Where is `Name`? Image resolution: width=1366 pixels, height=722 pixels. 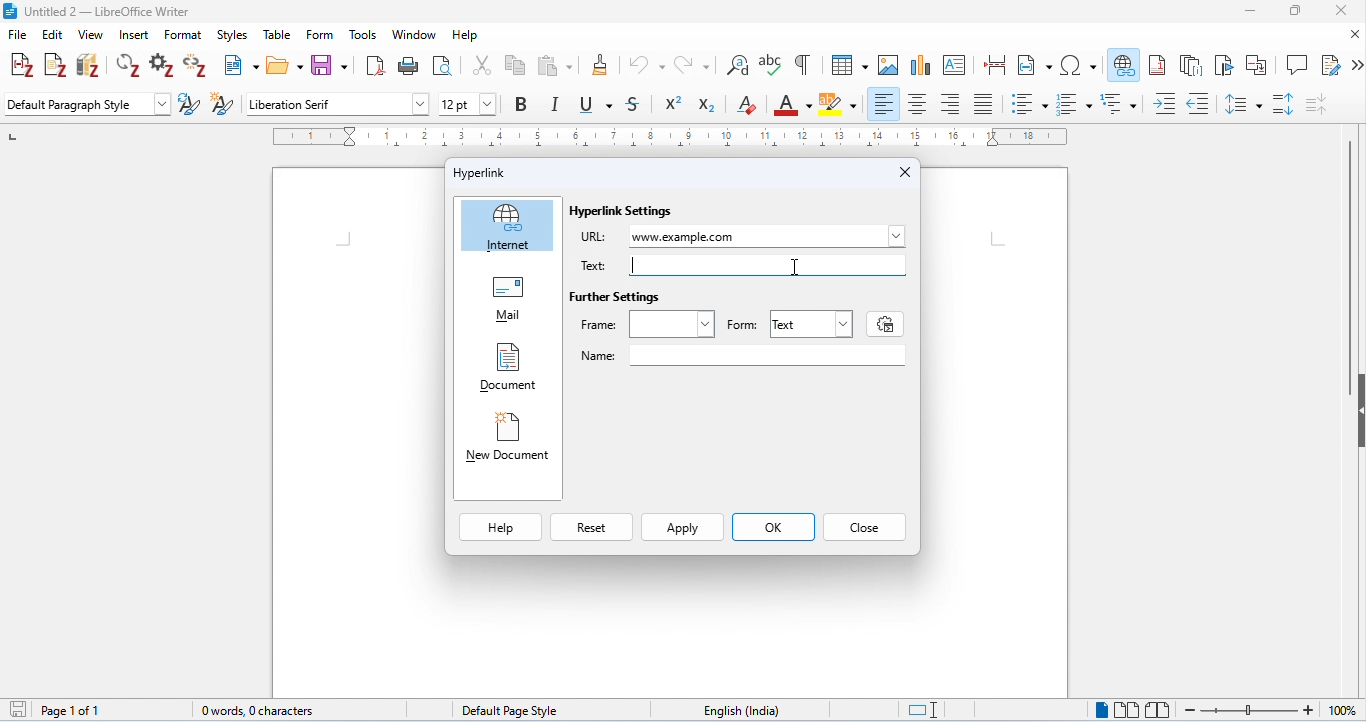 Name is located at coordinates (598, 355).